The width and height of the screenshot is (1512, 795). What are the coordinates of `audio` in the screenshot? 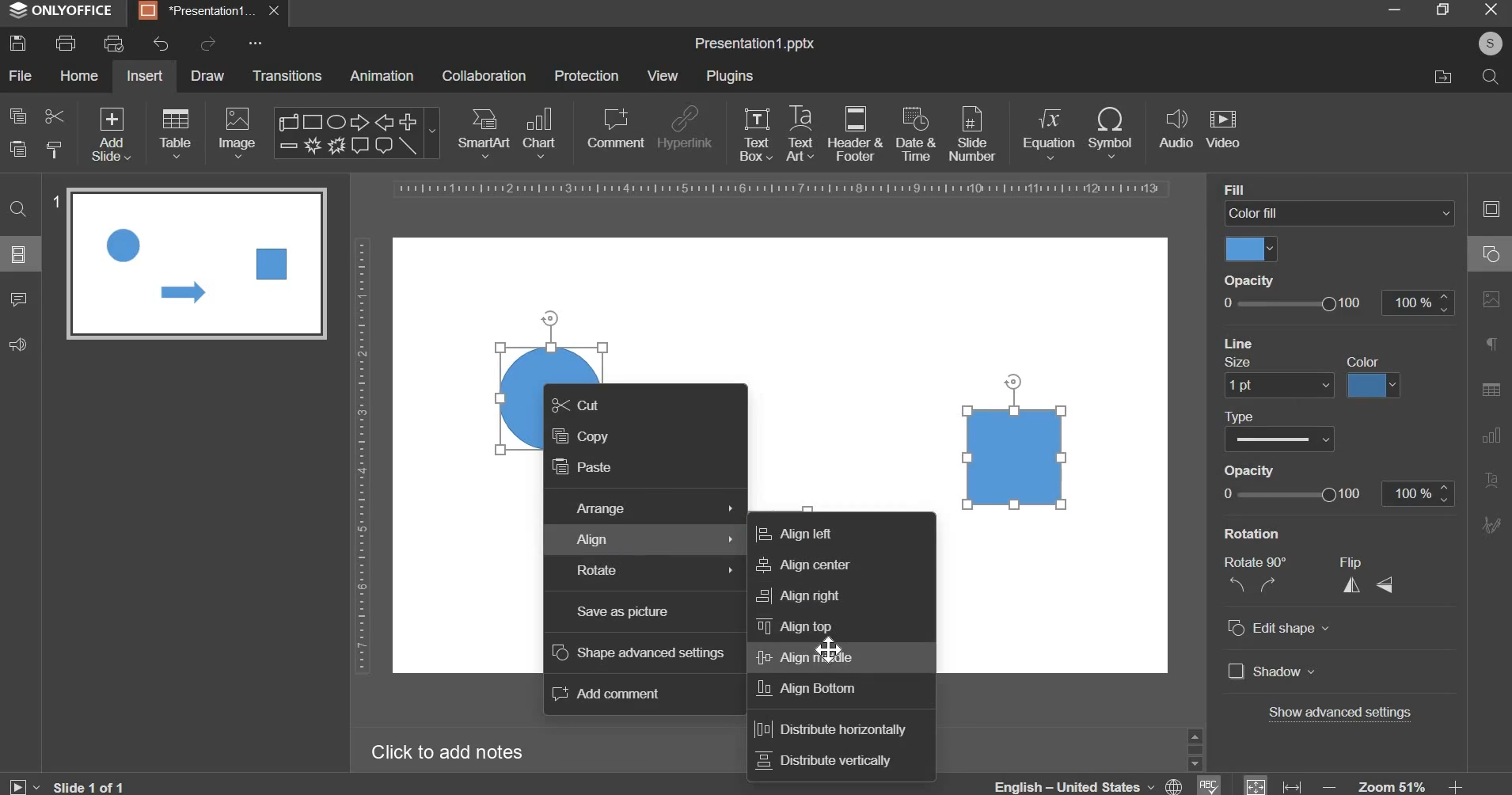 It's located at (1176, 130).